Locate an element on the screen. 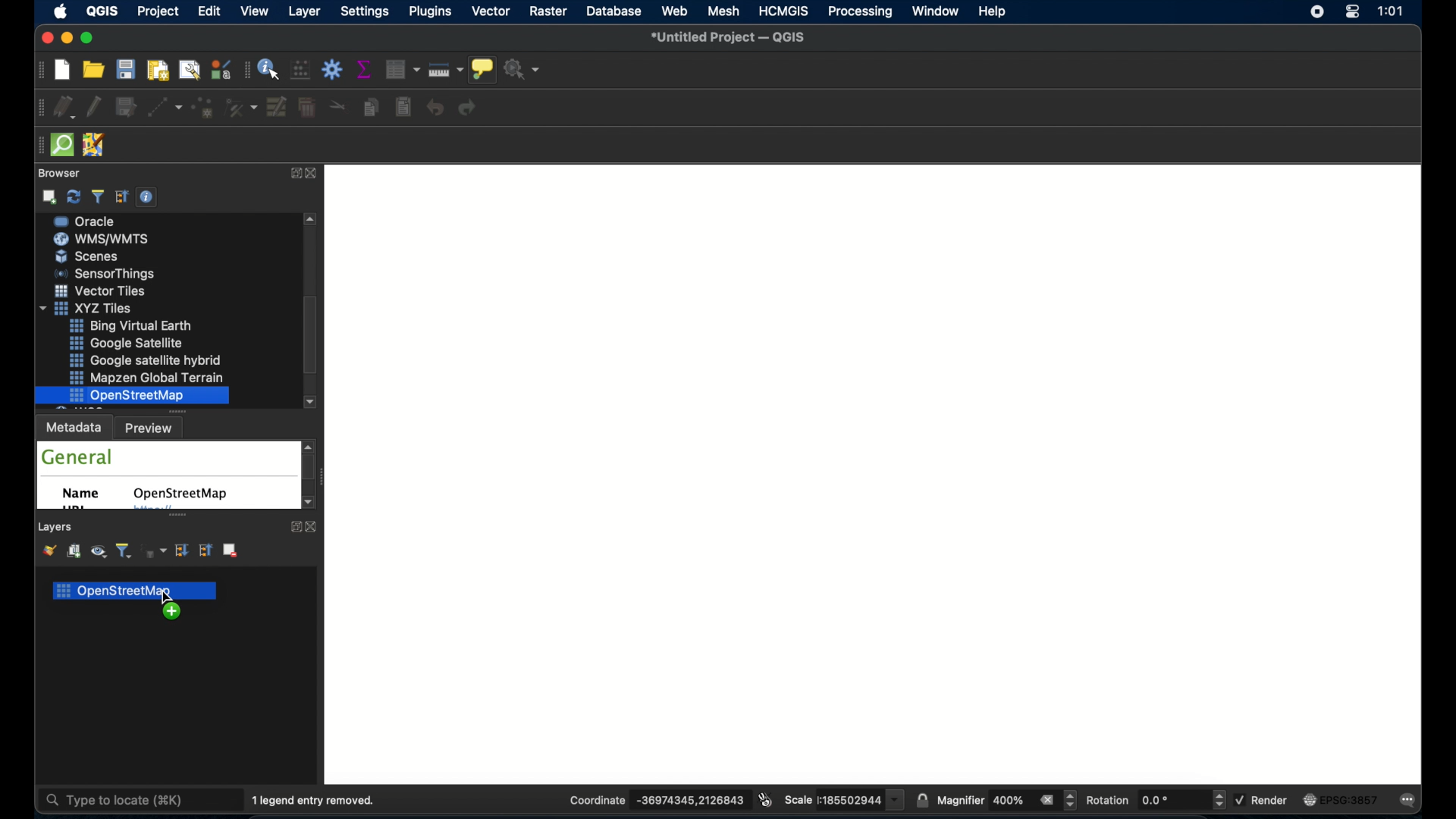 The image size is (1456, 819). close is located at coordinates (313, 174).